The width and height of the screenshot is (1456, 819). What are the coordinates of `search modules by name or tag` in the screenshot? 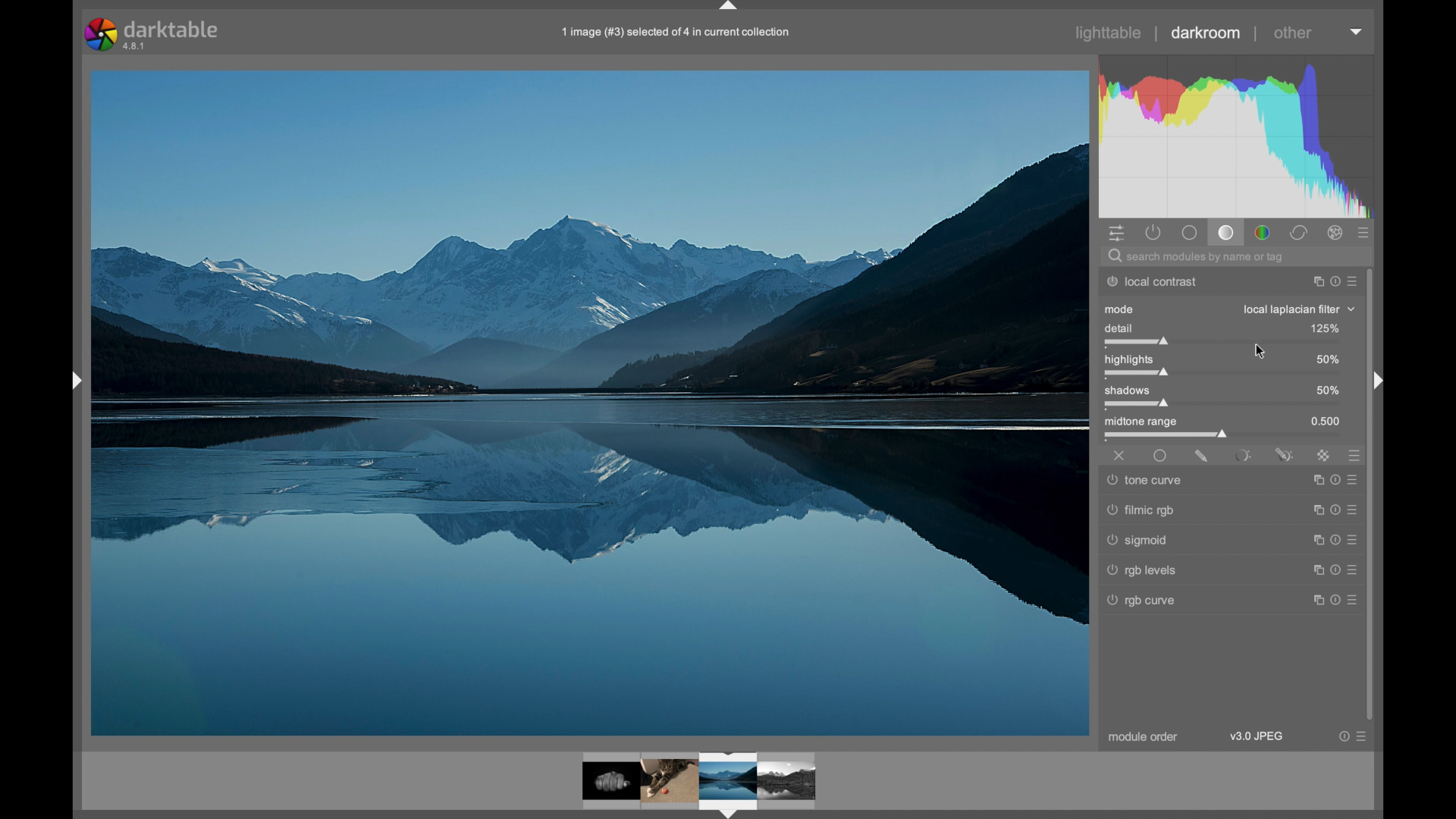 It's located at (1196, 257).